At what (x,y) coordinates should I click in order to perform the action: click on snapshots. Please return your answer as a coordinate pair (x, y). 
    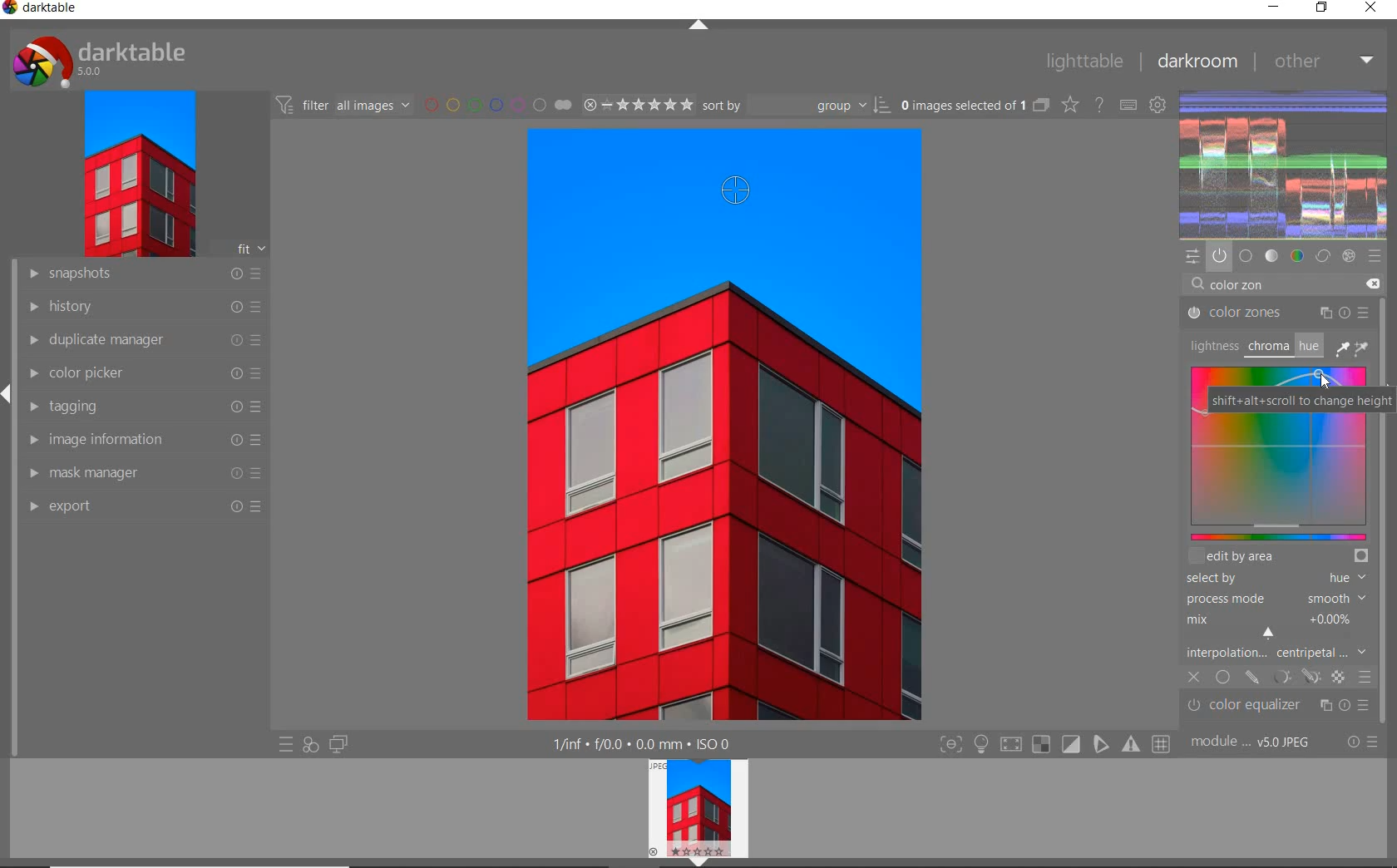
    Looking at the image, I should click on (141, 276).